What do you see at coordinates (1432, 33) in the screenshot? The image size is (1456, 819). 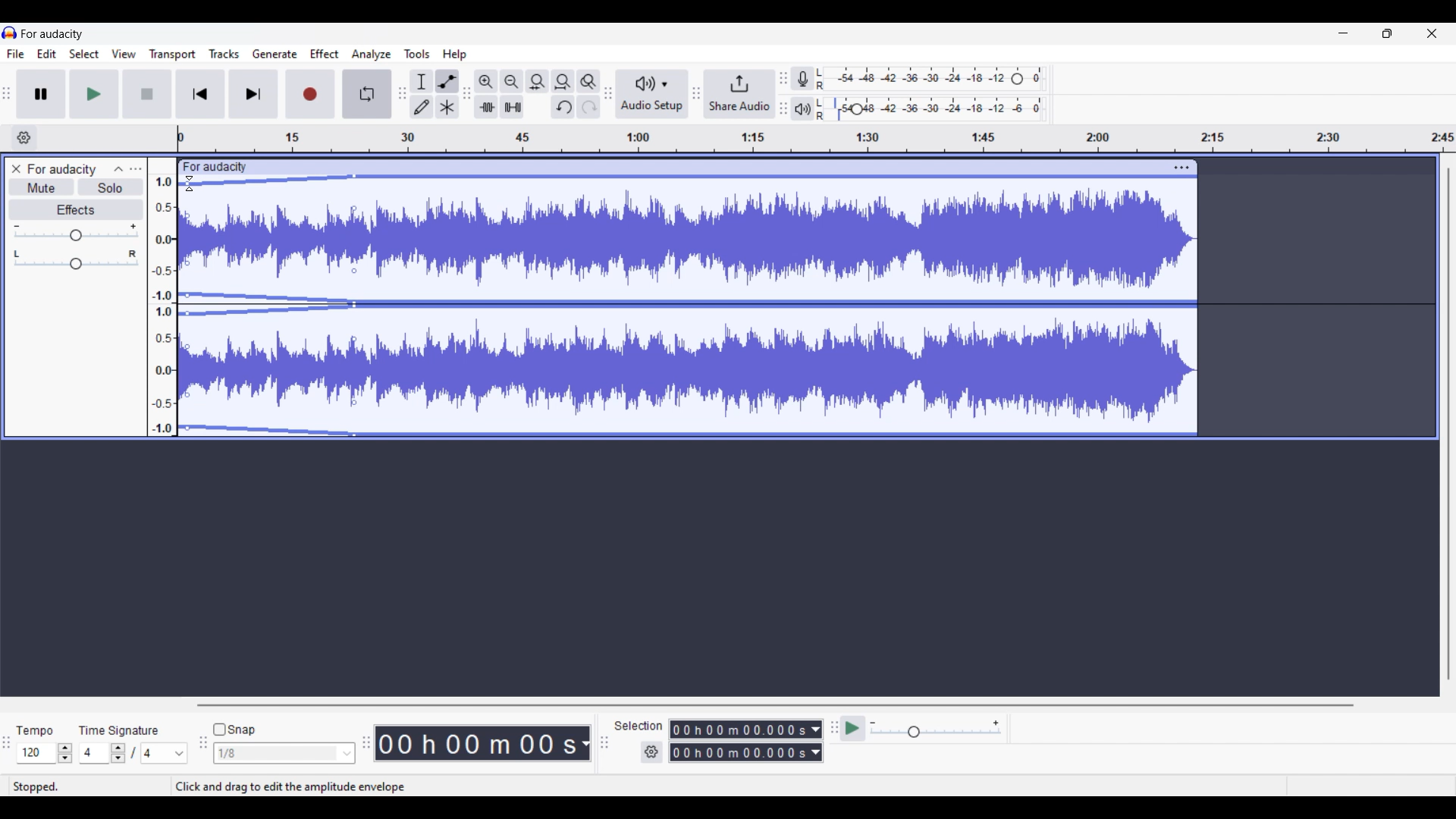 I see `Close interface` at bounding box center [1432, 33].